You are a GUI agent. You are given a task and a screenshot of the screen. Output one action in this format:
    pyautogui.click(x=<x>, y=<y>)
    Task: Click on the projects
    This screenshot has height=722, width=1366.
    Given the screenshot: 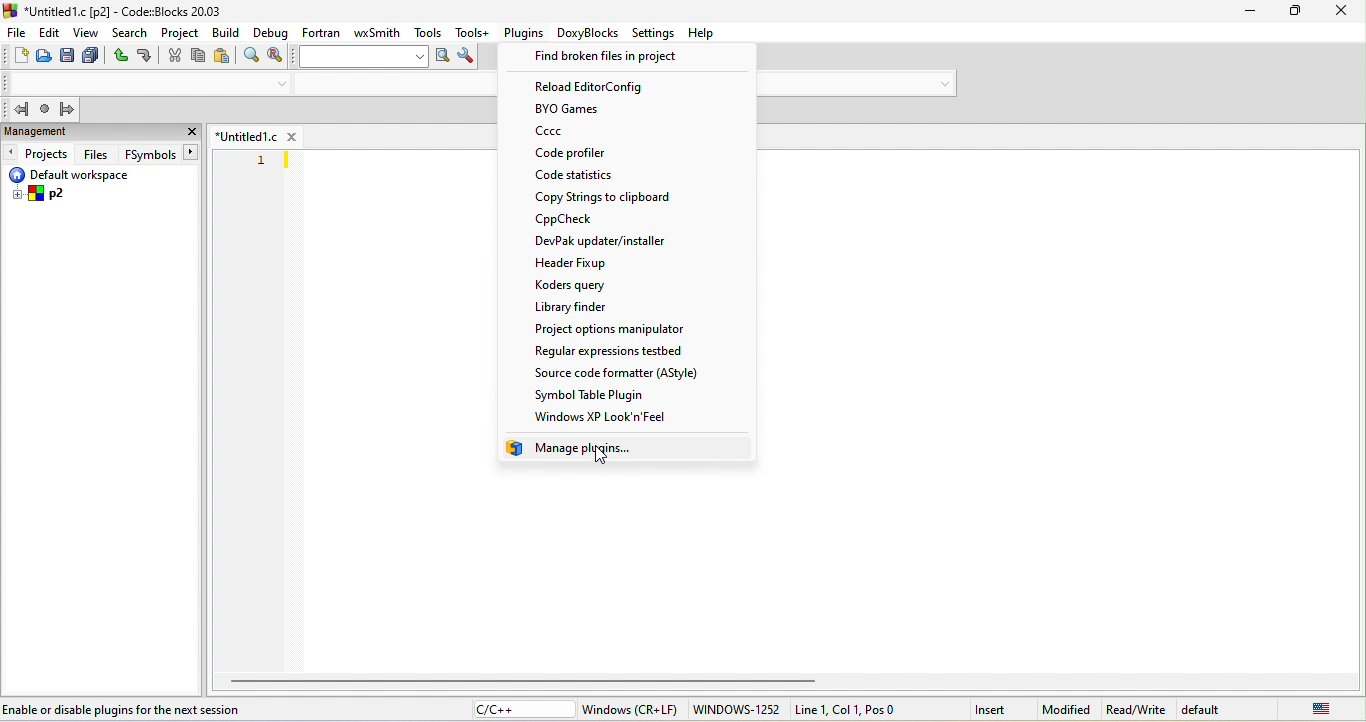 What is the action you would take?
    pyautogui.click(x=37, y=154)
    